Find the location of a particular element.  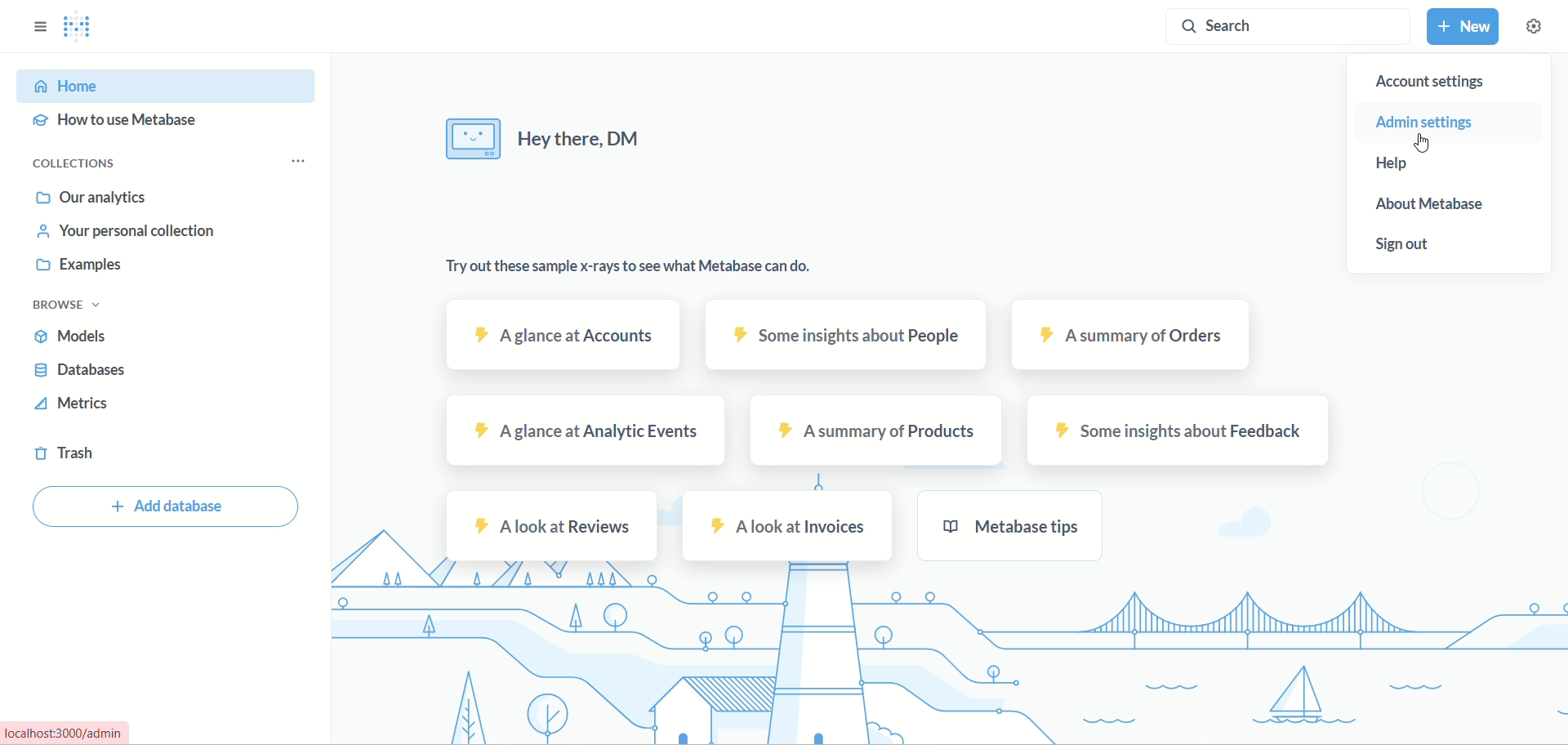

examples is located at coordinates (84, 263).